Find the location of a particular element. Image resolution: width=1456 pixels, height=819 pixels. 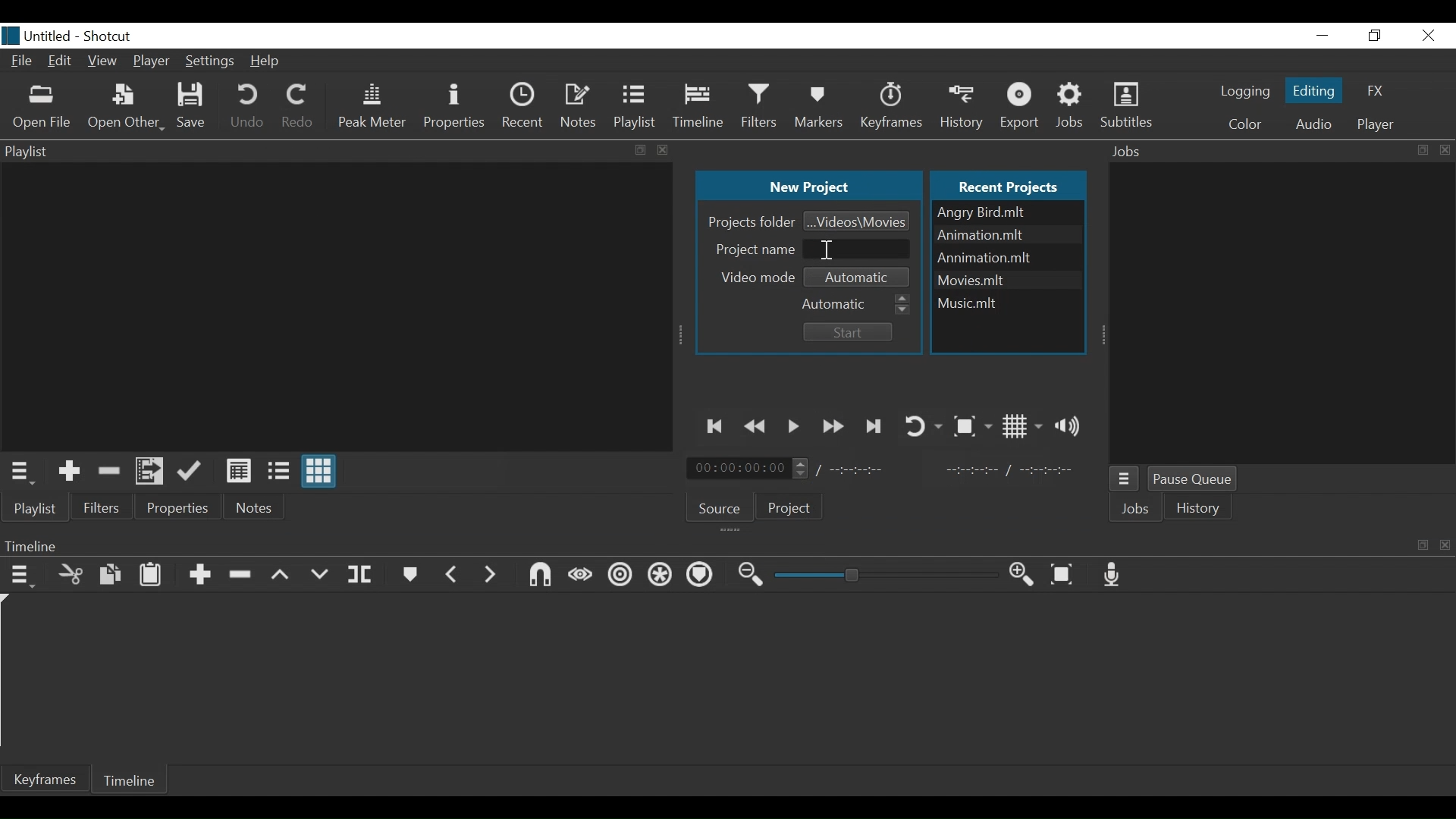

Toggle Zoom is located at coordinates (971, 426).